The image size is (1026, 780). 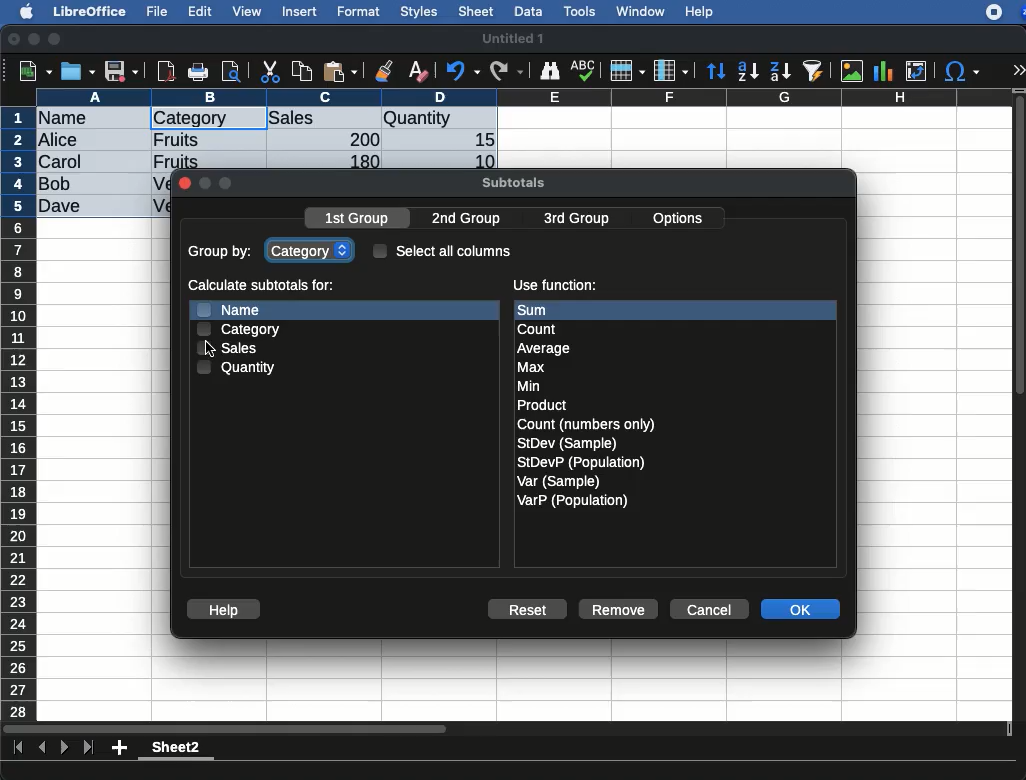 I want to click on print, so click(x=198, y=72).